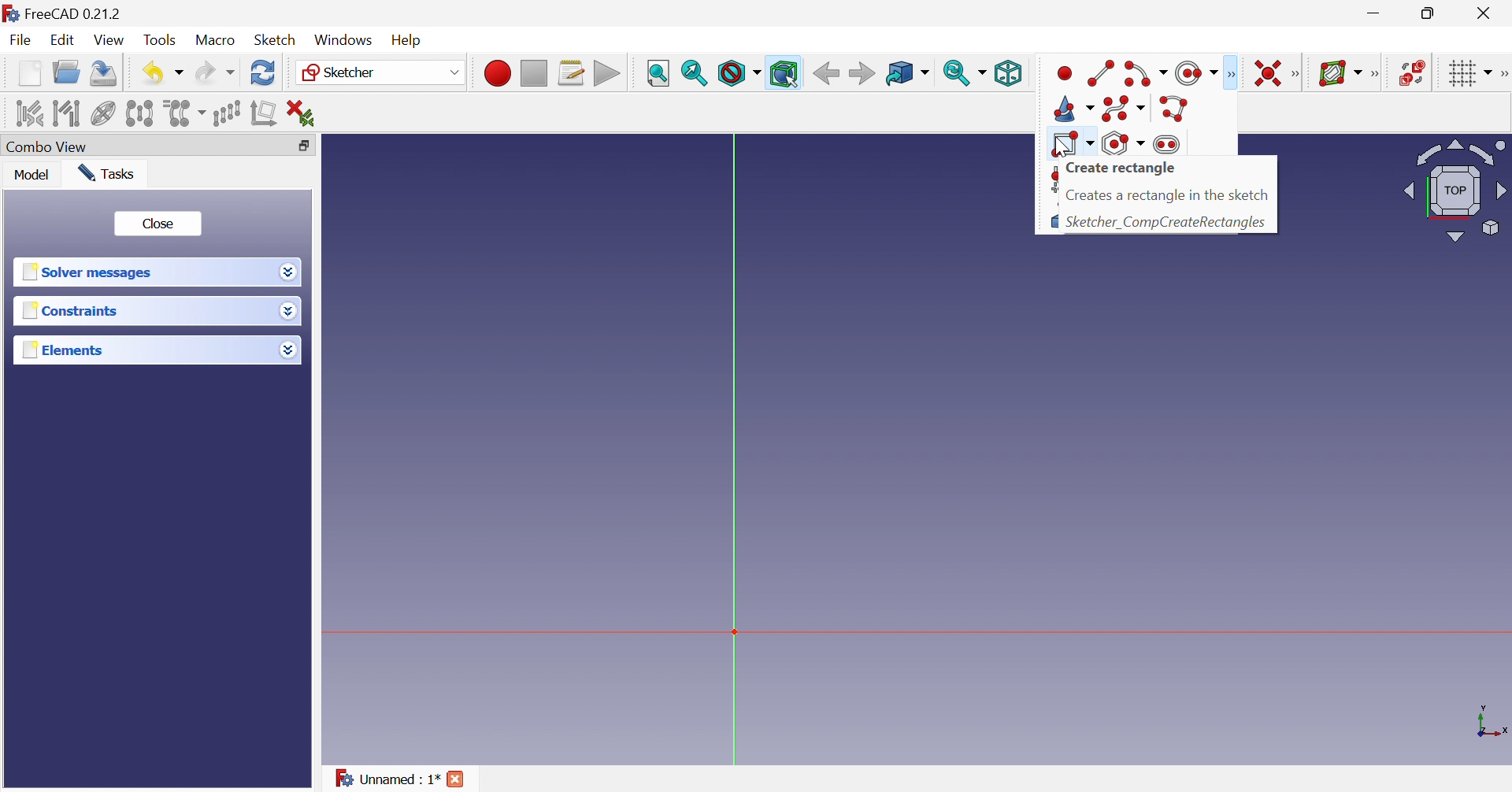  I want to click on Sketcher, so click(380, 72).